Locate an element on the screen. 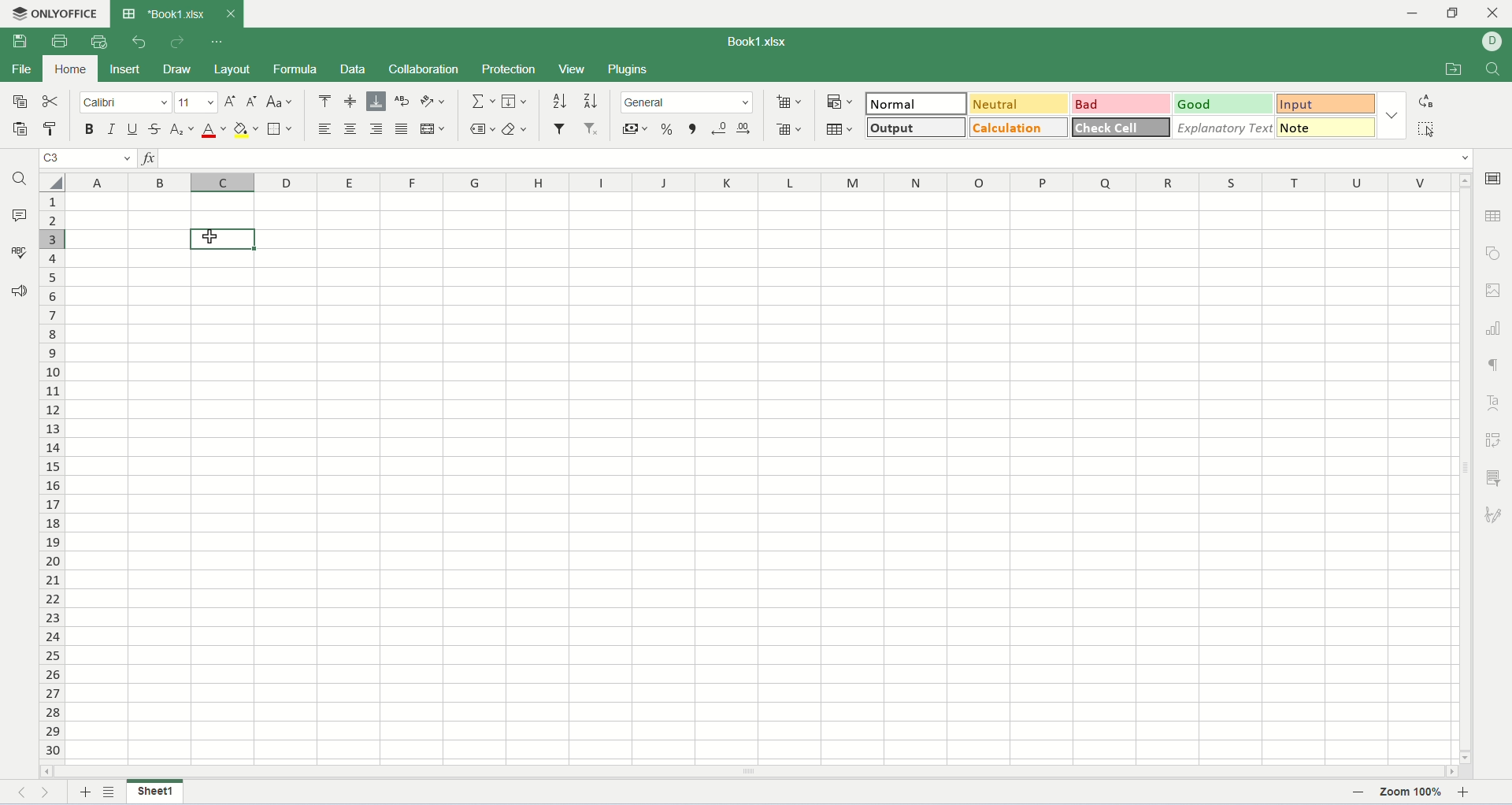 The image size is (1512, 805). border is located at coordinates (280, 130).